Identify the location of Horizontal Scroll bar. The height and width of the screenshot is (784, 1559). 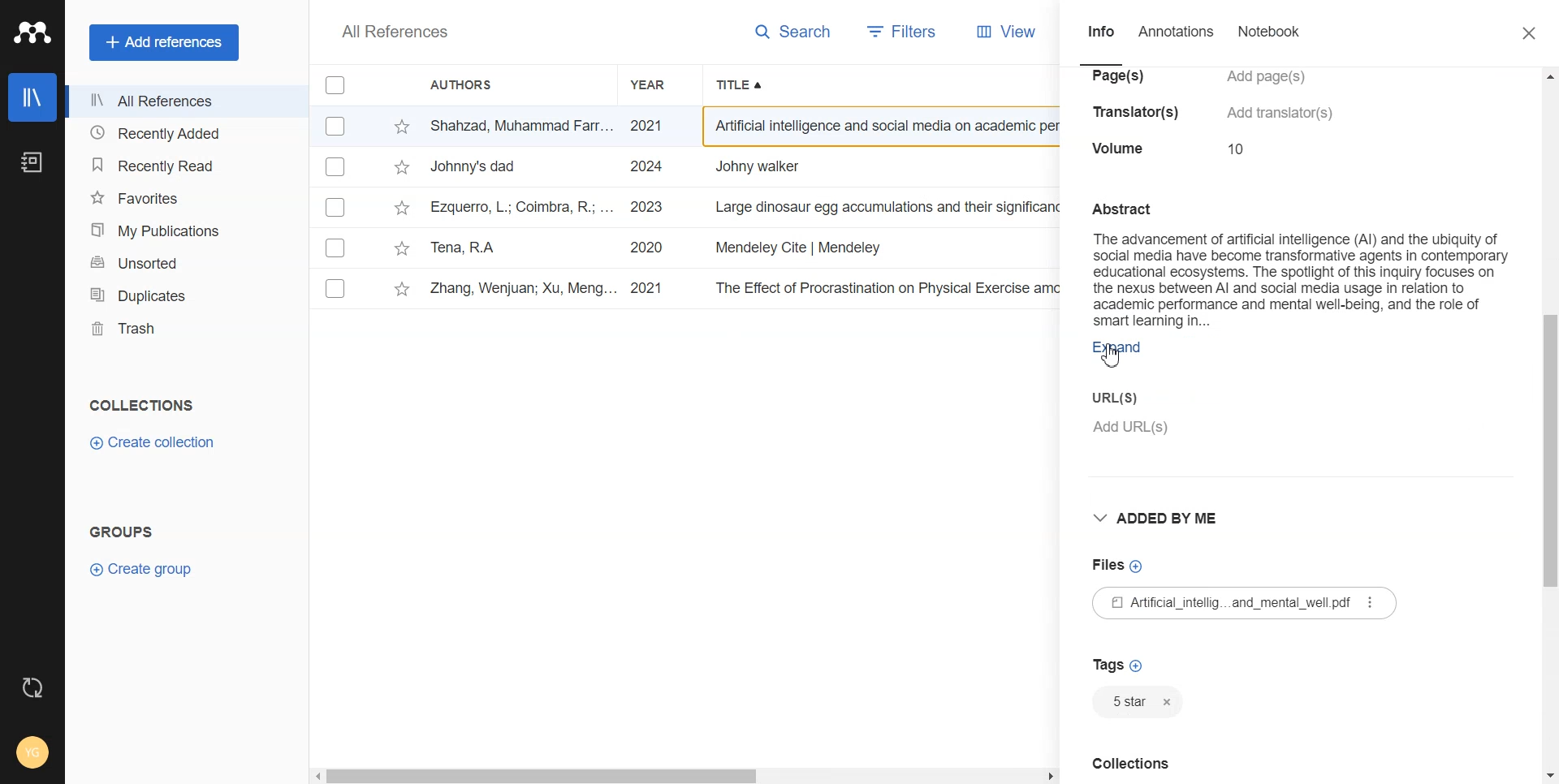
(682, 776).